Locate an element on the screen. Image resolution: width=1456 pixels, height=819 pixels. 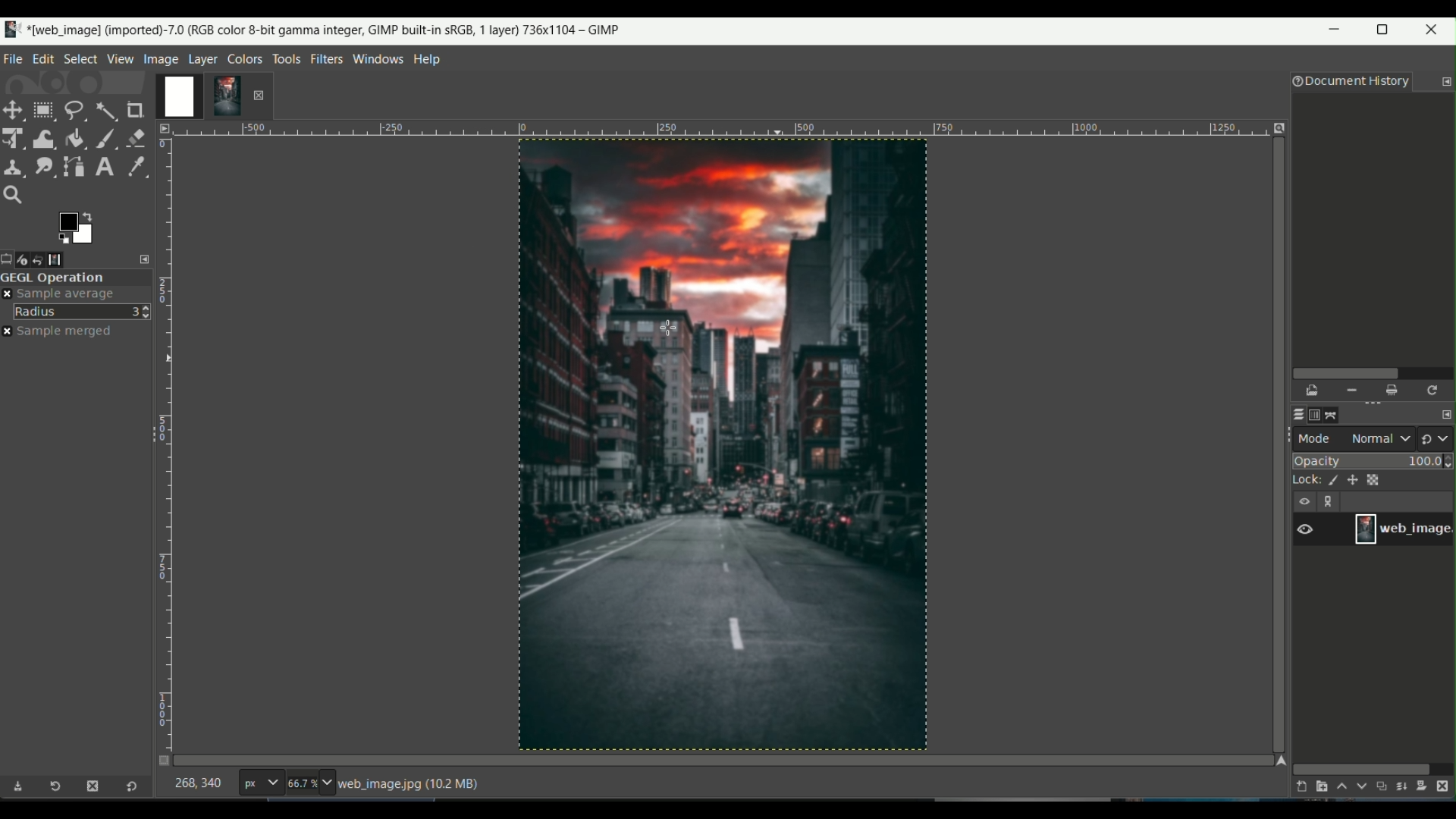
colors tab is located at coordinates (246, 58).